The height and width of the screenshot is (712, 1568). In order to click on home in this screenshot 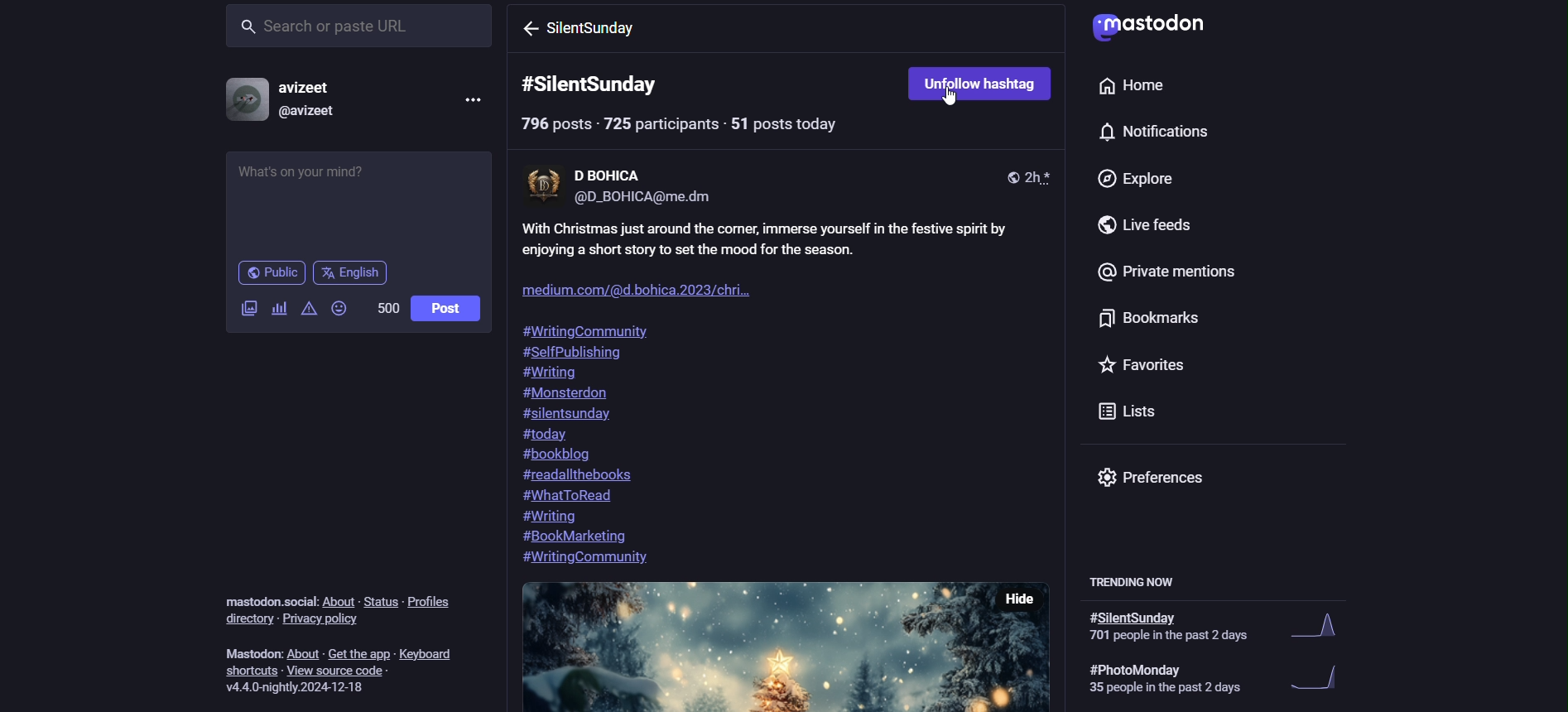, I will do `click(1125, 85)`.